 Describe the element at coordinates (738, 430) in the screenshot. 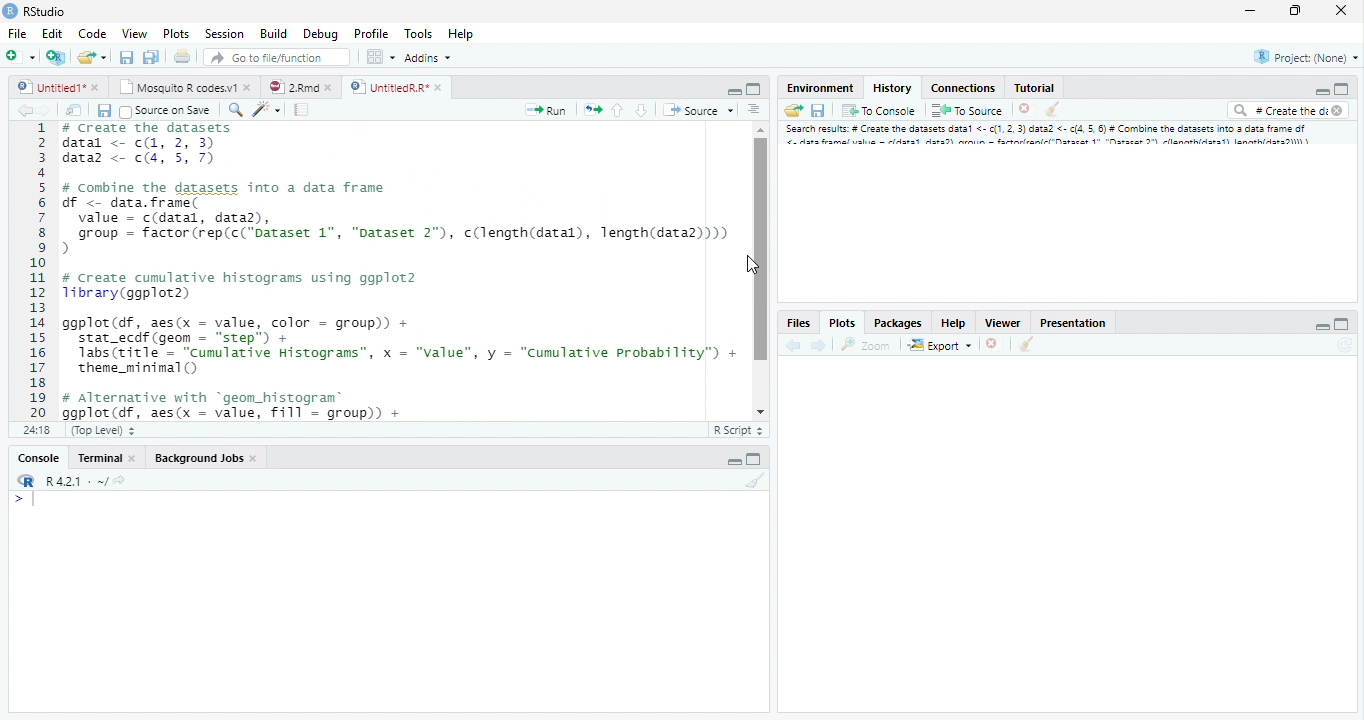

I see `R Script` at that location.